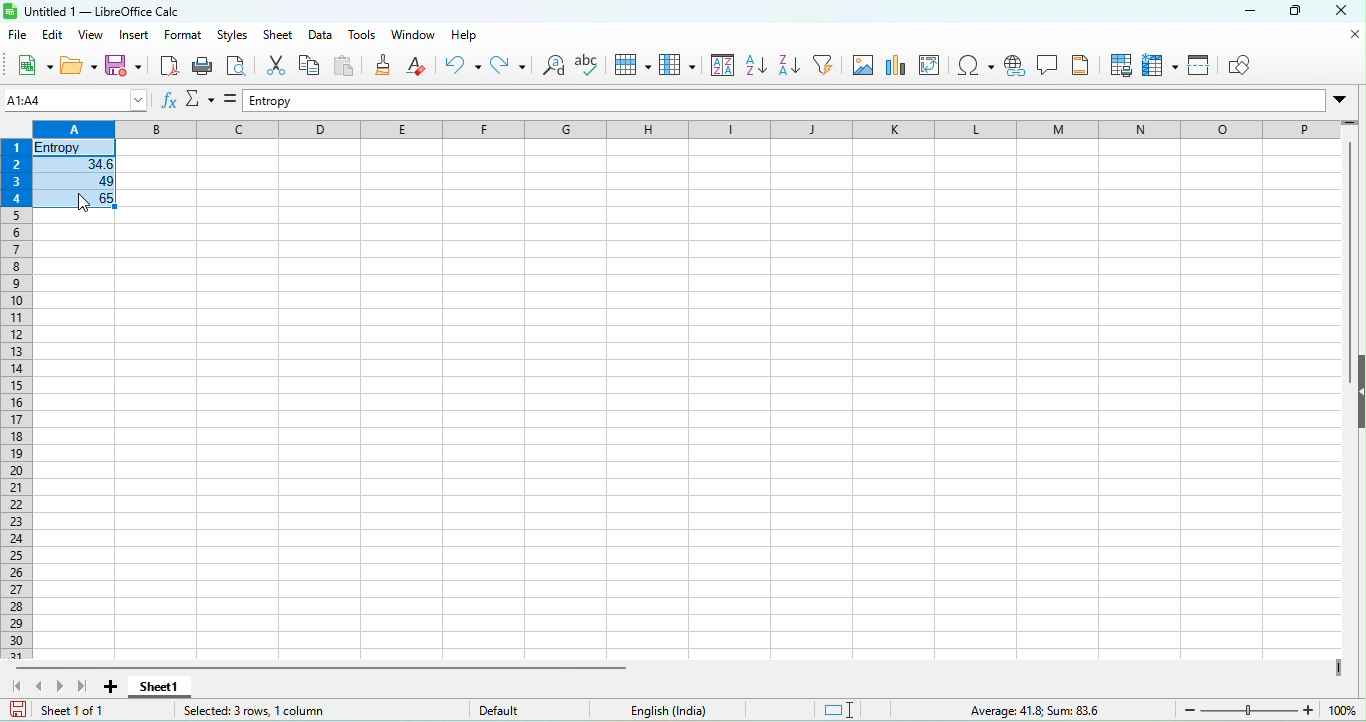 The image size is (1366, 722). What do you see at coordinates (126, 67) in the screenshot?
I see `save` at bounding box center [126, 67].